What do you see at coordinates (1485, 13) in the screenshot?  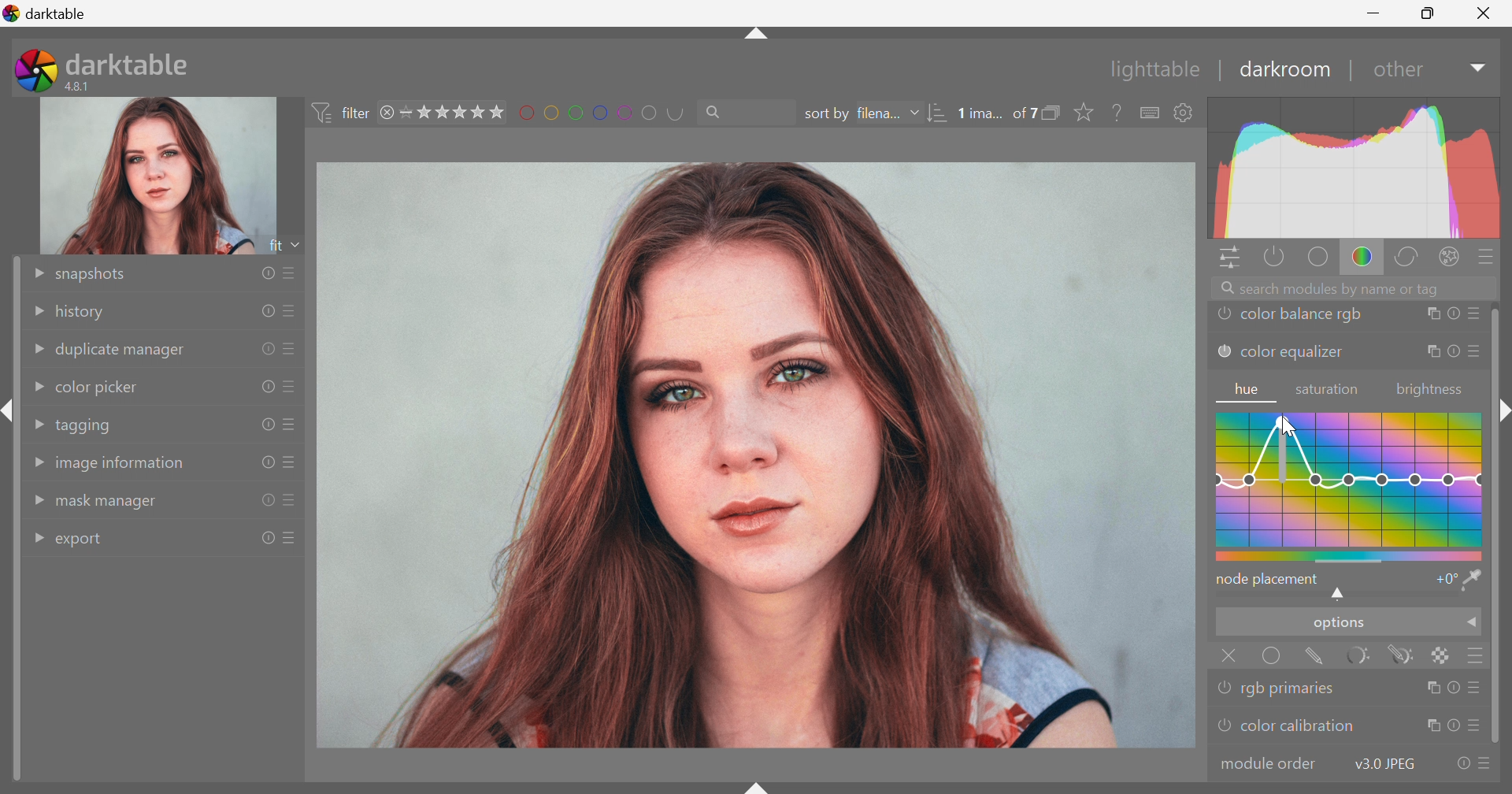 I see `` at bounding box center [1485, 13].